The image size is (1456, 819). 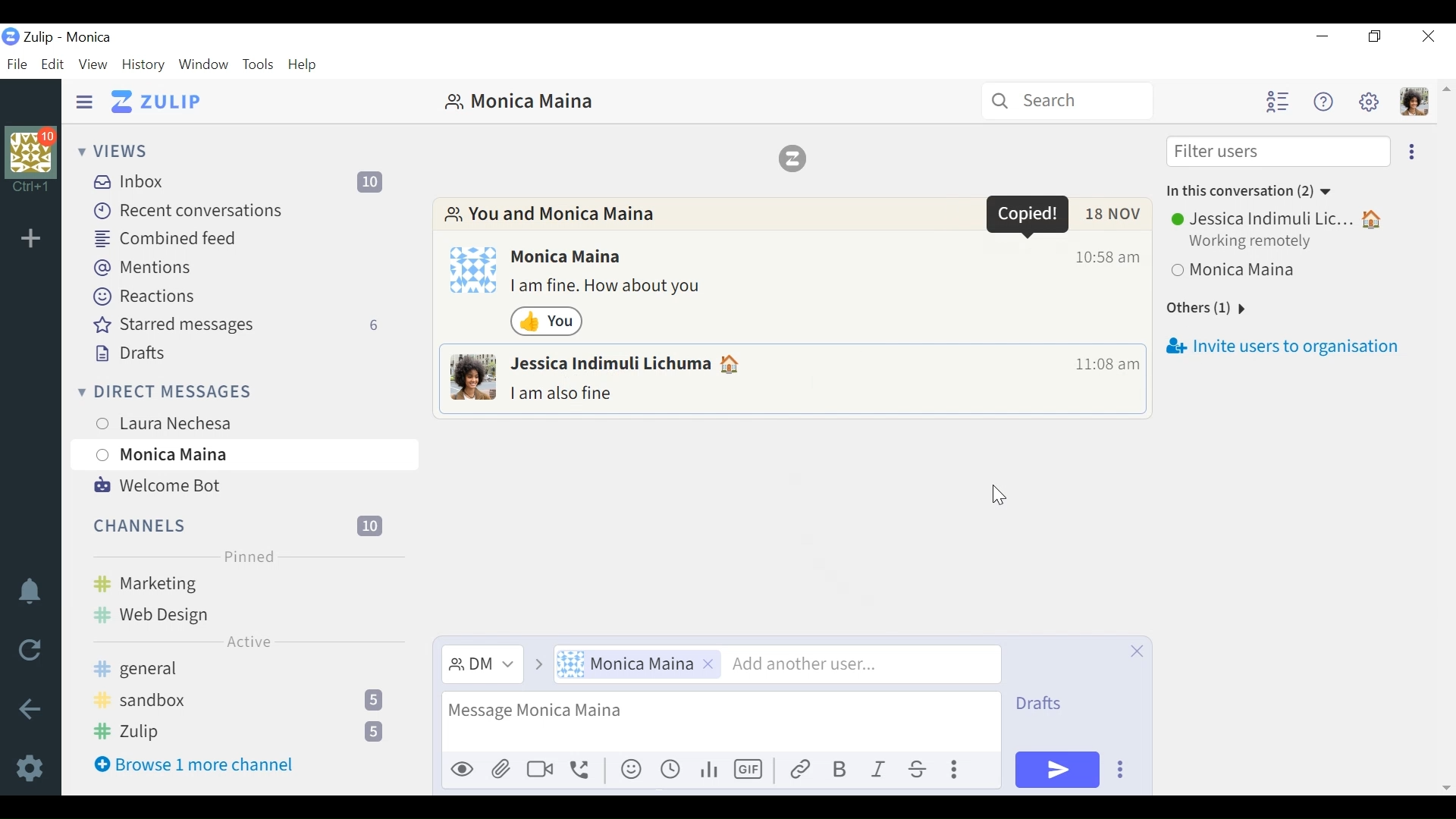 What do you see at coordinates (194, 764) in the screenshot?
I see `Browse 1 more channel` at bounding box center [194, 764].